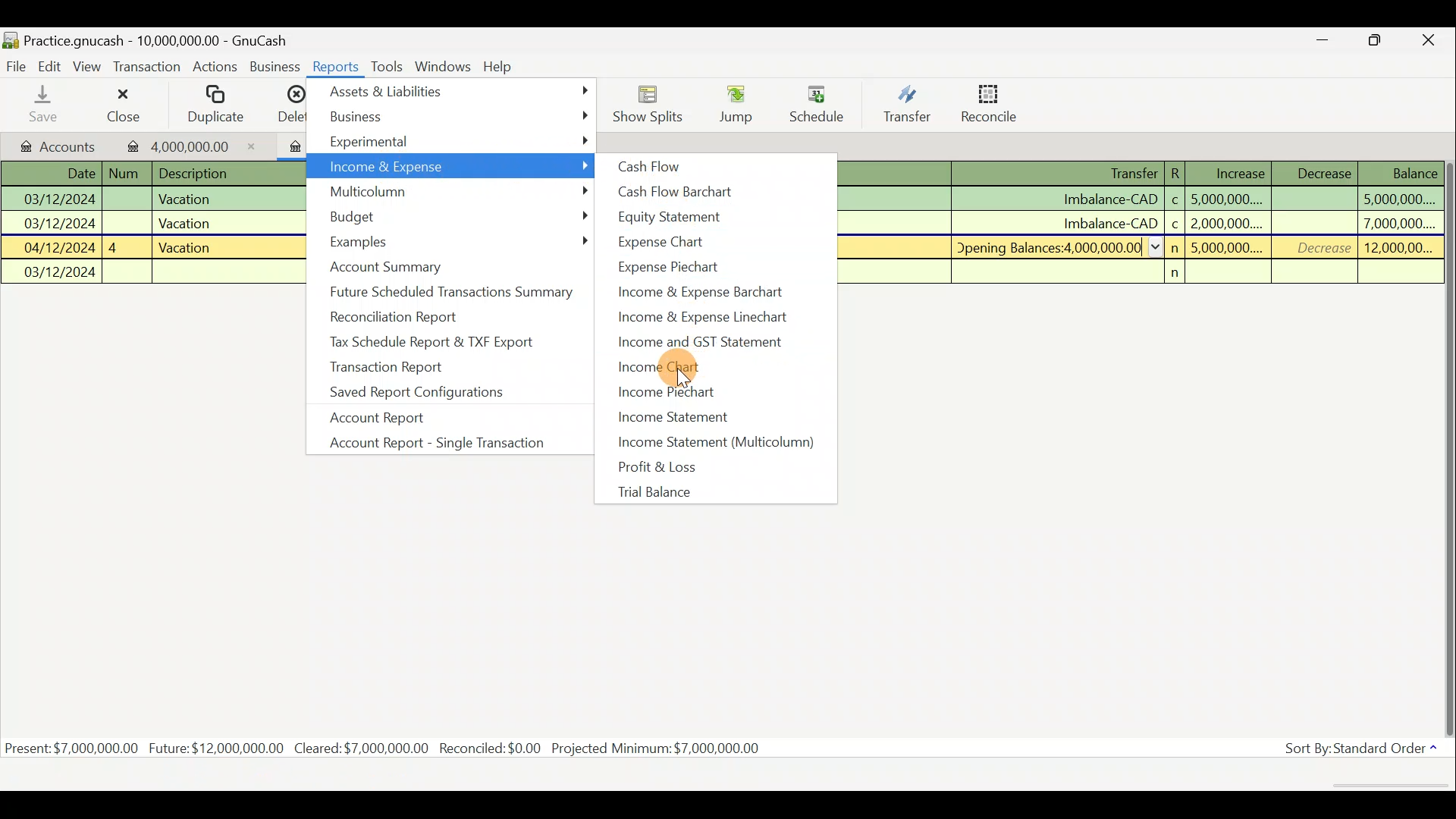 This screenshot has height=819, width=1456. Describe the element at coordinates (457, 140) in the screenshot. I see `Experimental` at that location.